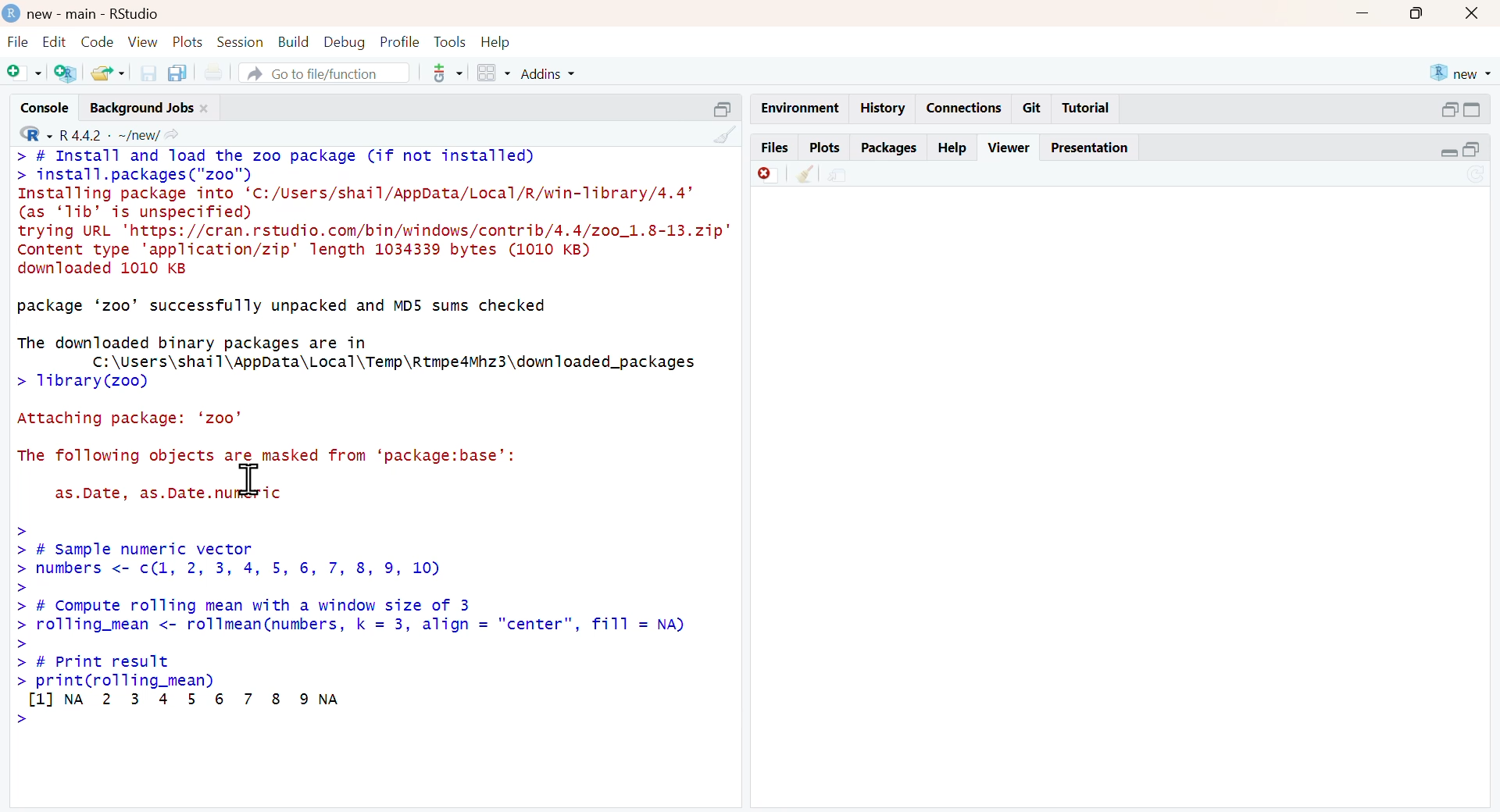 The height and width of the screenshot is (812, 1500). I want to click on profile, so click(401, 42).